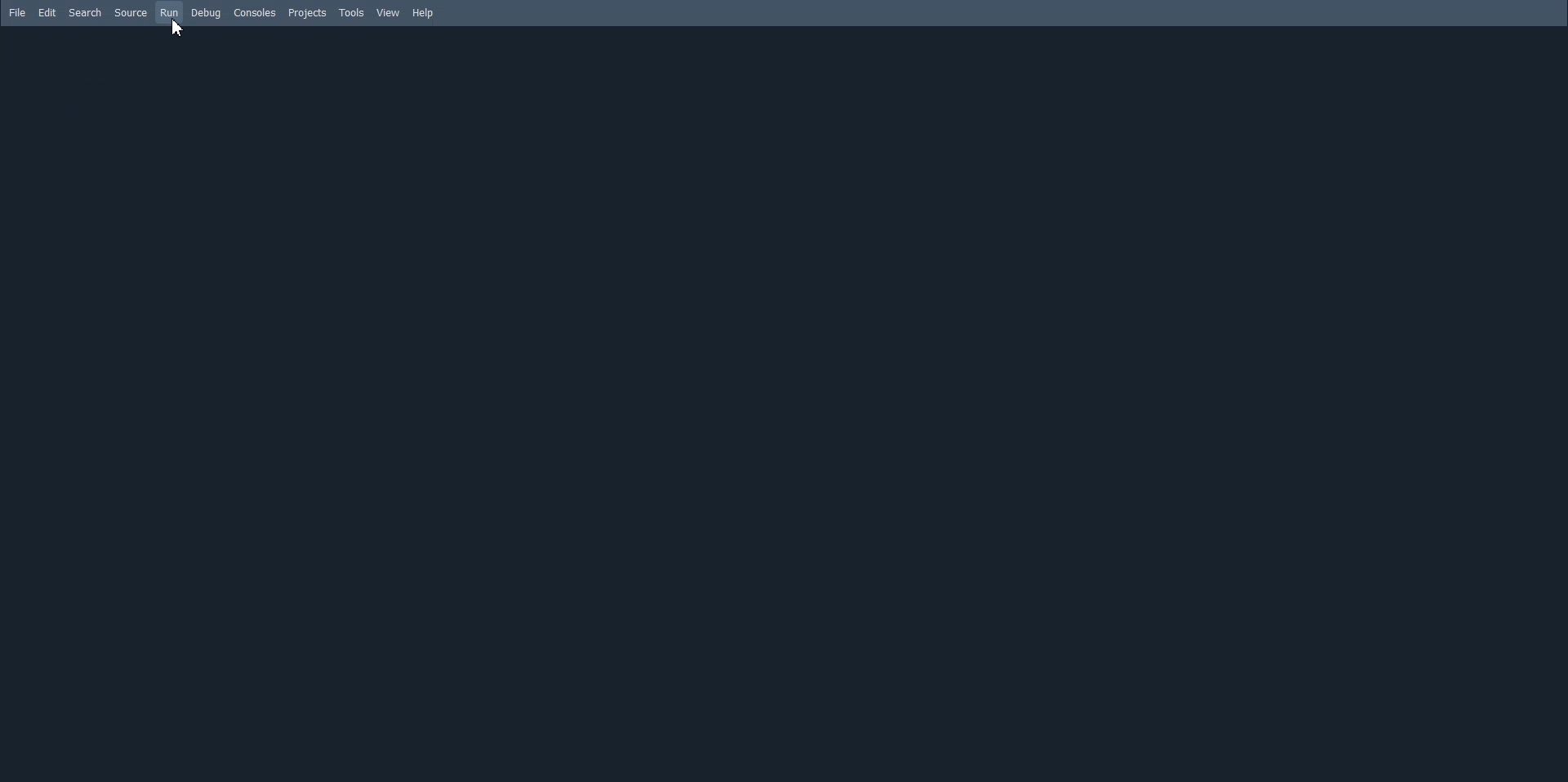  I want to click on Help, so click(422, 13).